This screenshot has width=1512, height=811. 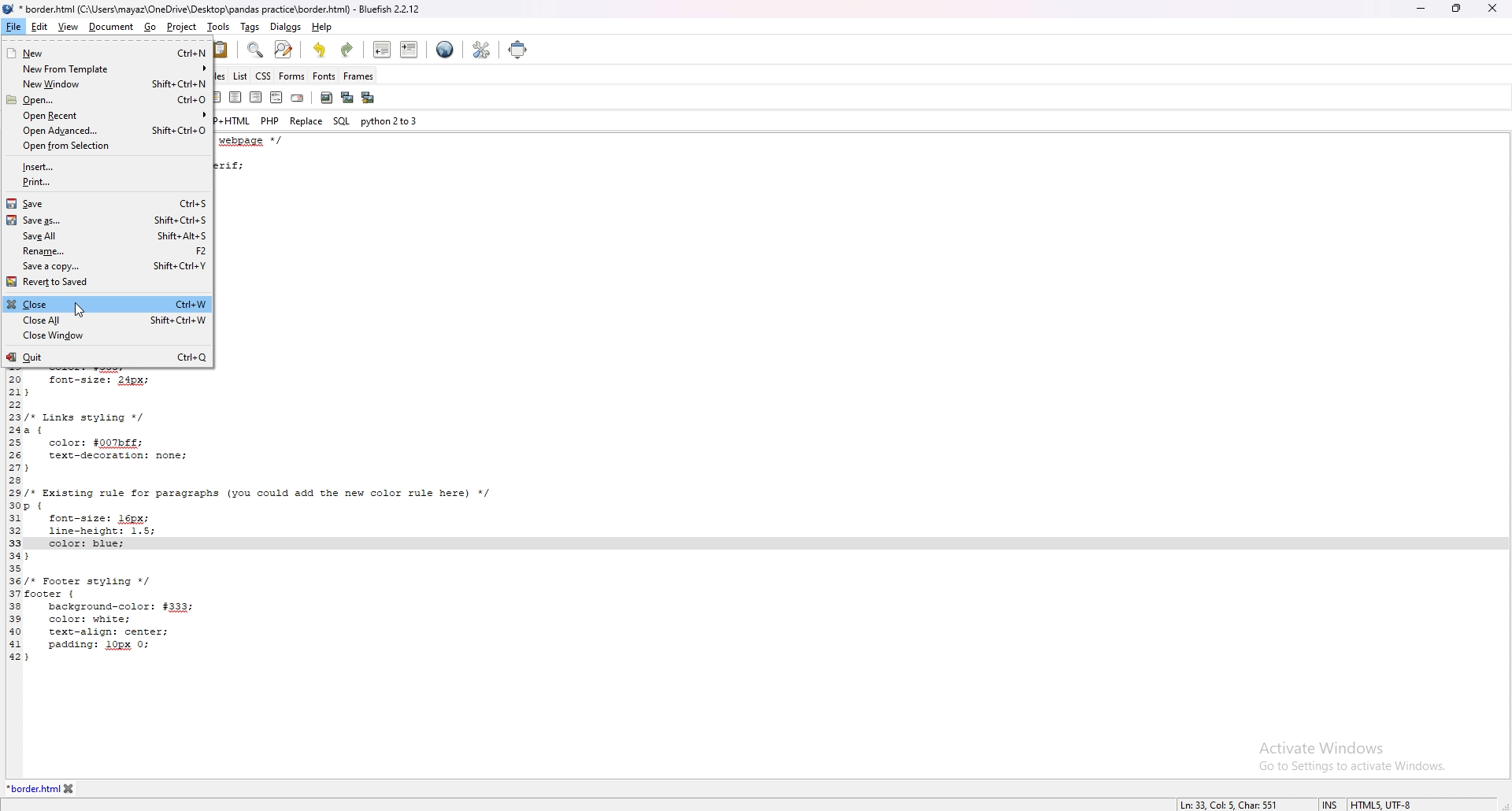 What do you see at coordinates (108, 250) in the screenshot?
I see `rename` at bounding box center [108, 250].